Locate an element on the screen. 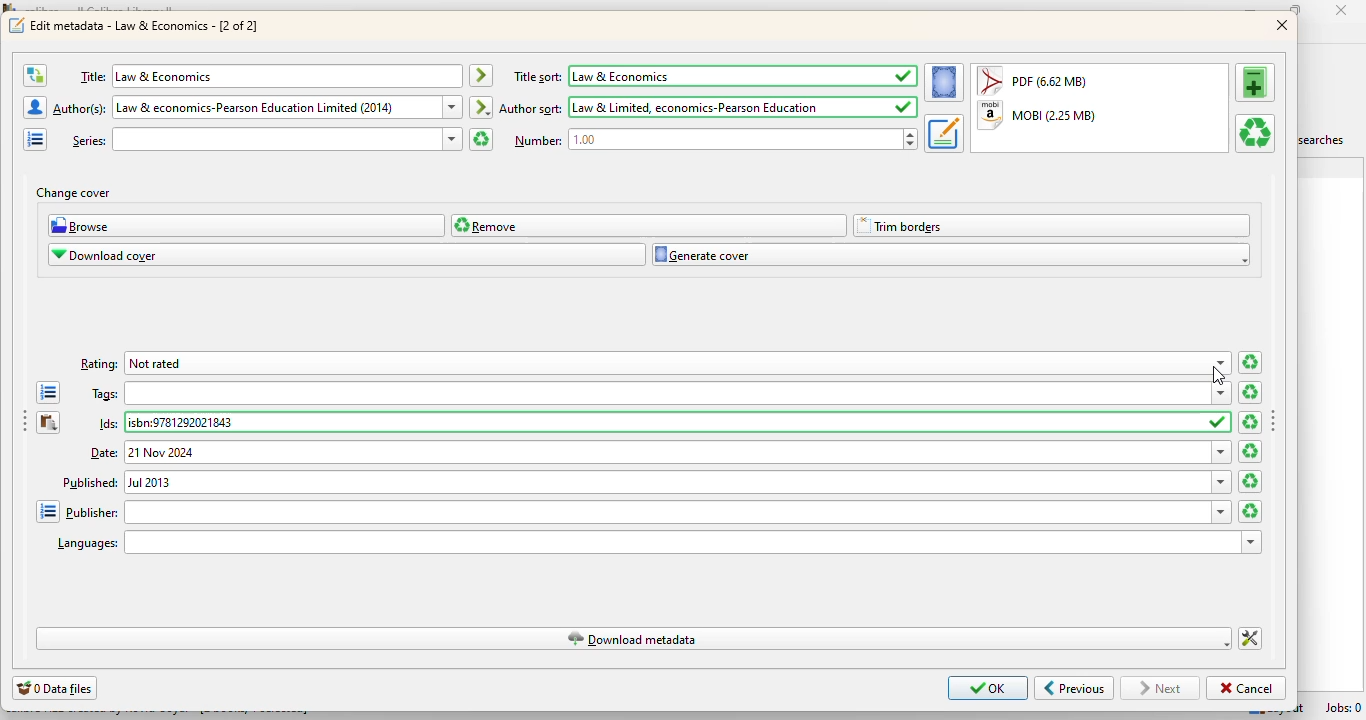  rating: not rated is located at coordinates (655, 363).